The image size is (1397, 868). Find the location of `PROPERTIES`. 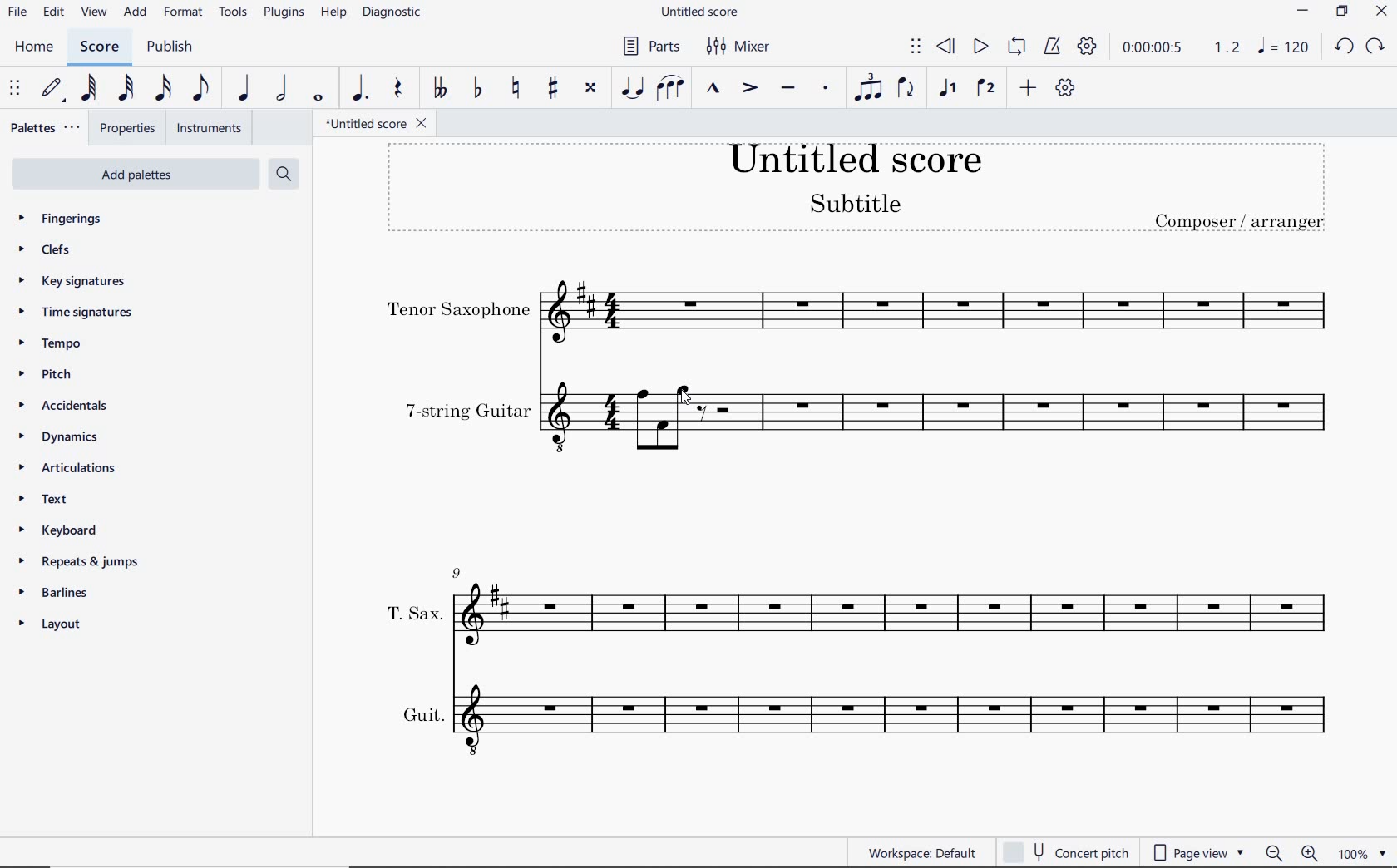

PROPERTIES is located at coordinates (131, 127).